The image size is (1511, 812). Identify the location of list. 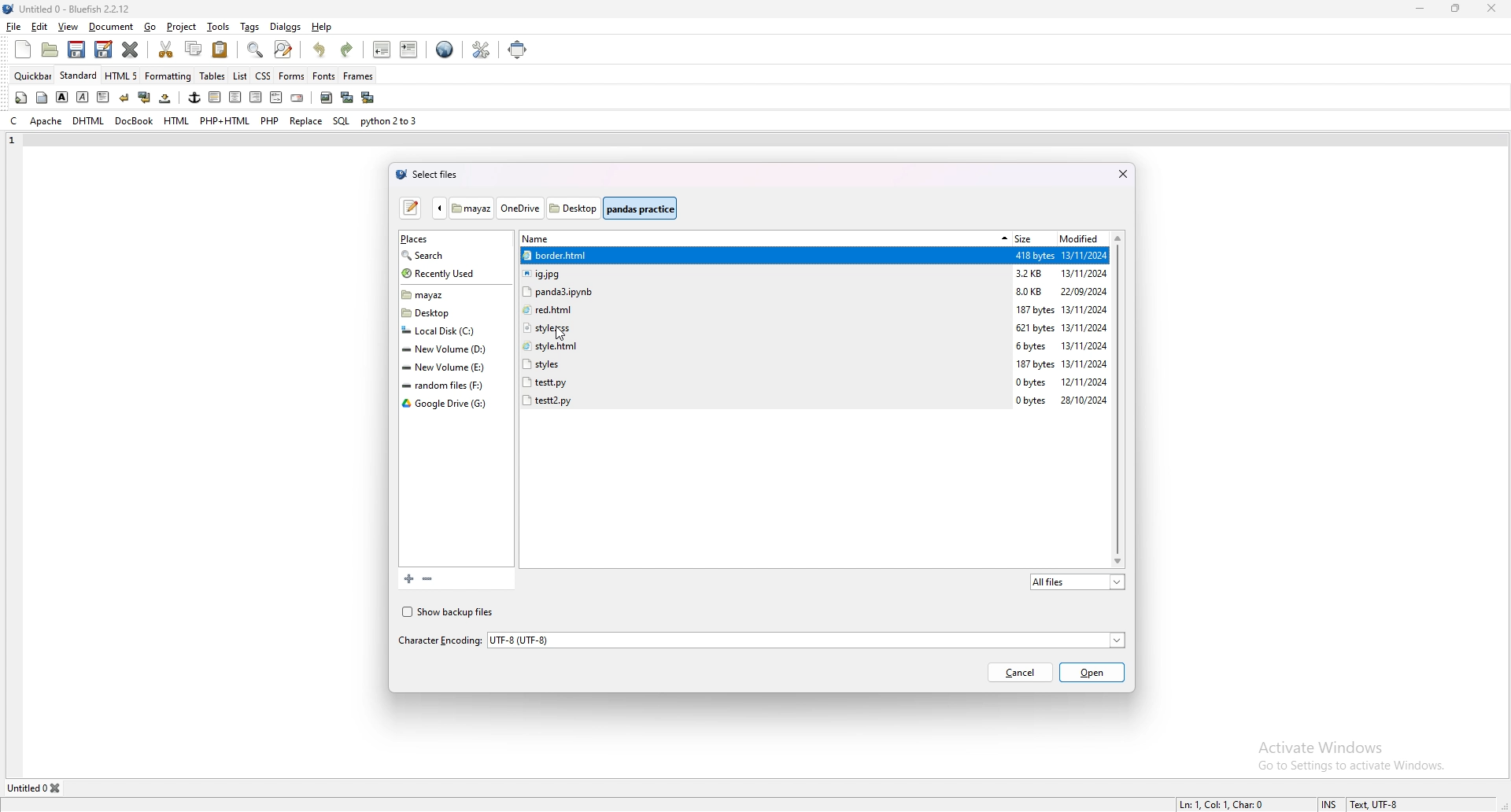
(241, 76).